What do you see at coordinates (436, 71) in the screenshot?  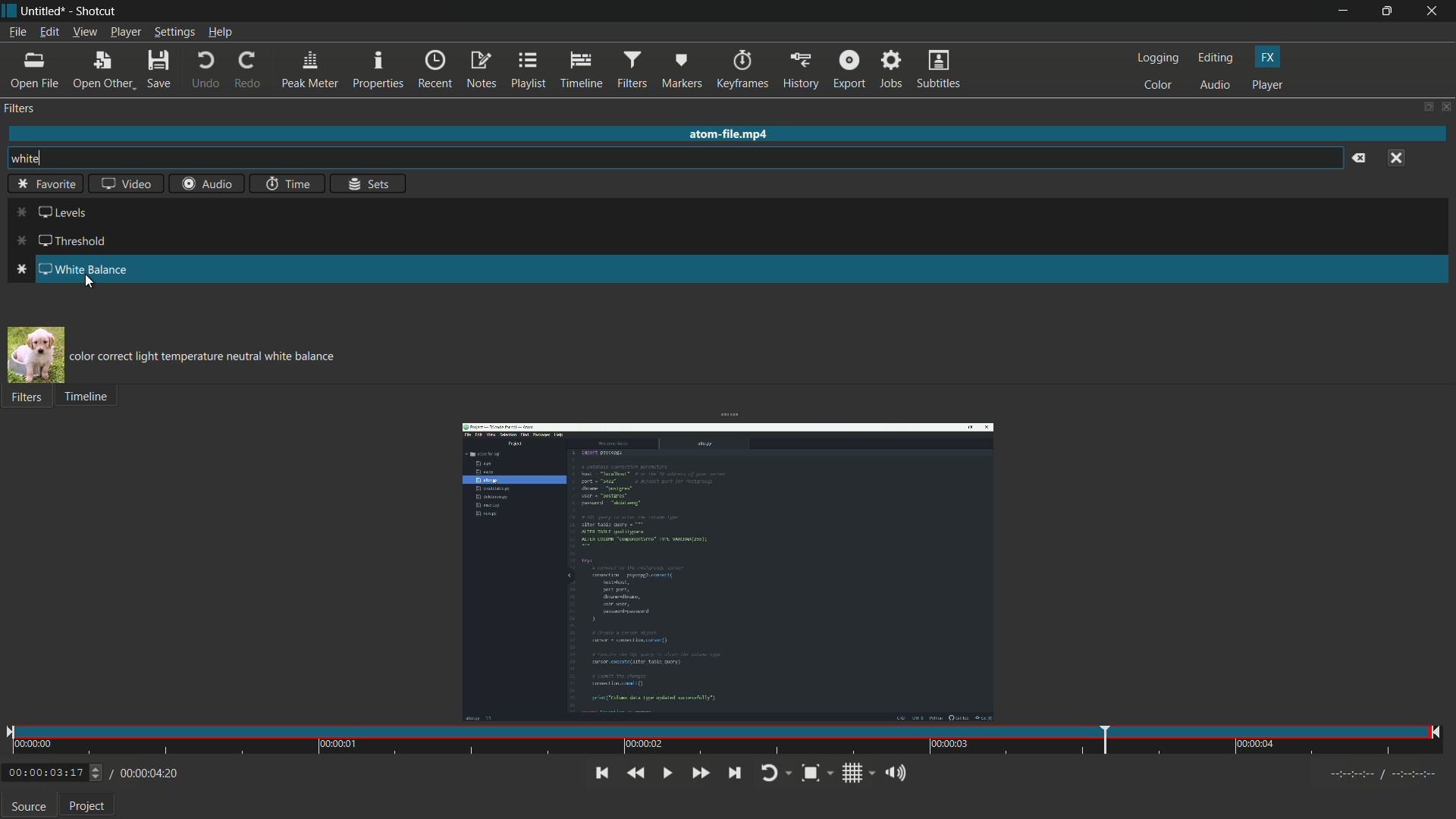 I see `recent` at bounding box center [436, 71].